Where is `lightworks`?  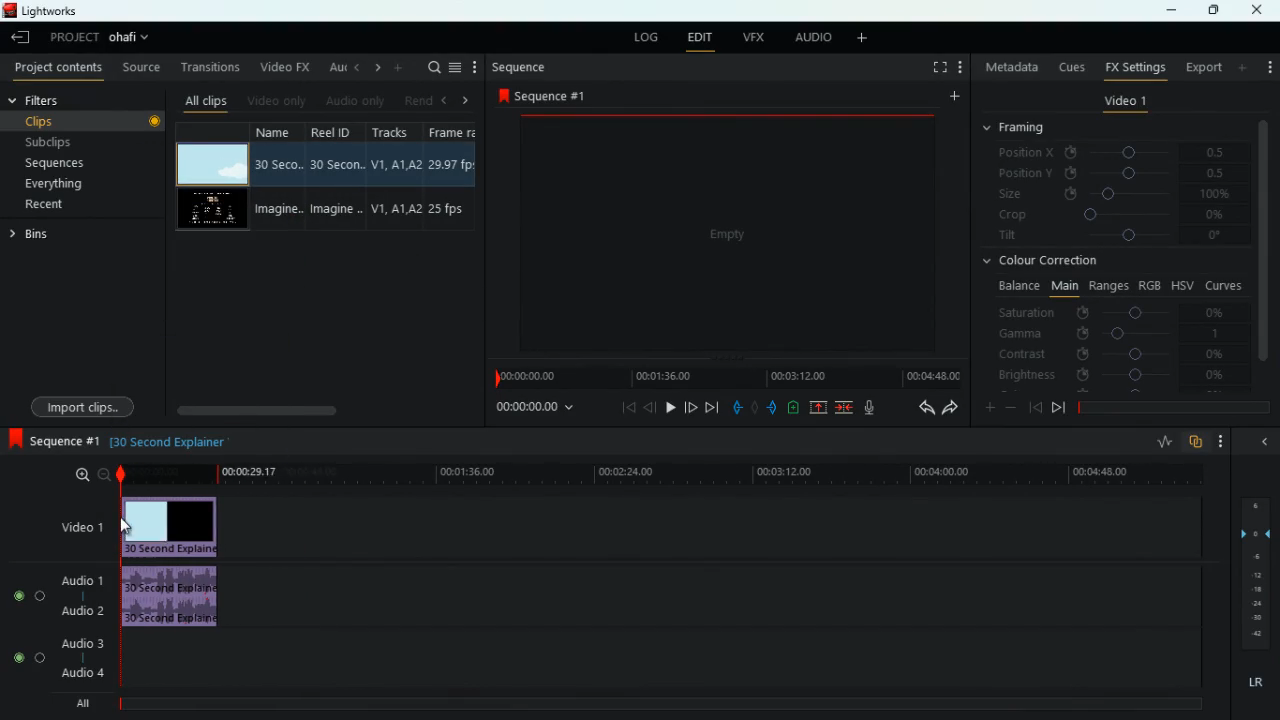 lightworks is located at coordinates (63, 10).